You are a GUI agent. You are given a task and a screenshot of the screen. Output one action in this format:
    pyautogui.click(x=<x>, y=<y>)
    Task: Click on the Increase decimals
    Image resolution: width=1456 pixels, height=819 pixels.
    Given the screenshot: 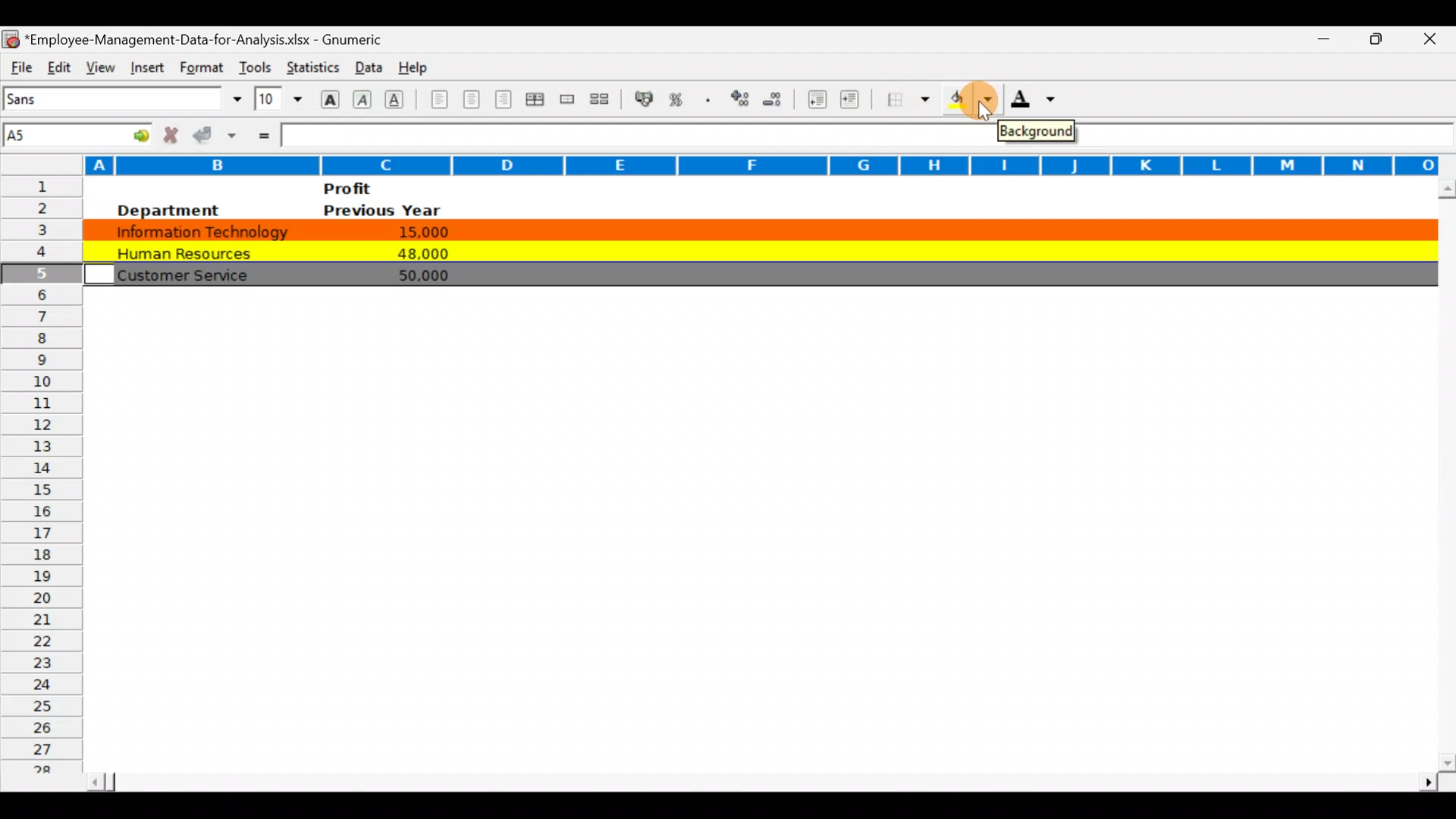 What is the action you would take?
    pyautogui.click(x=742, y=98)
    